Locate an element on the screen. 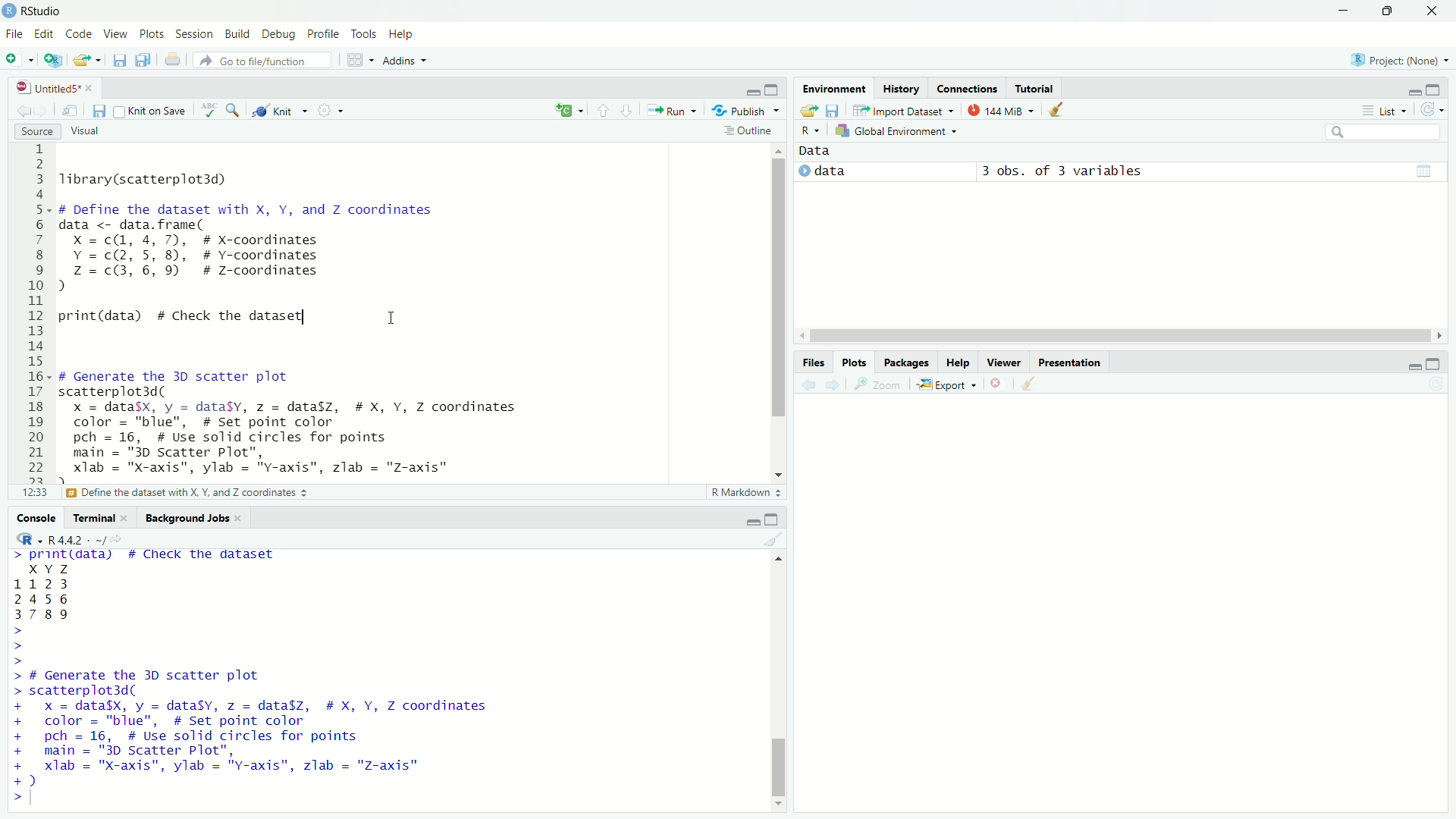 The height and width of the screenshot is (819, 1456). > print(data) # Check the dataset is located at coordinates (146, 556).